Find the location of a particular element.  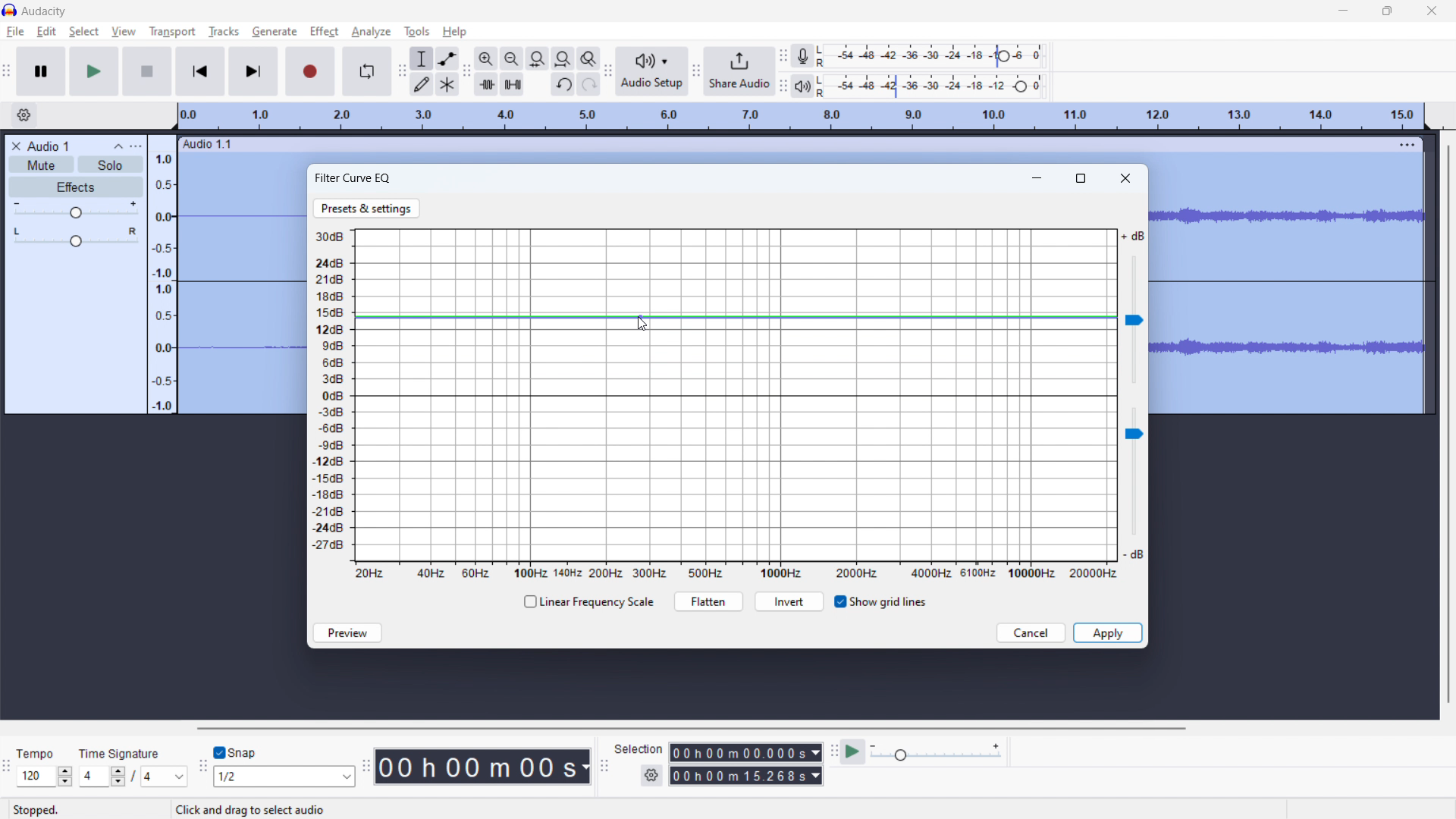

record level is located at coordinates (935, 56).